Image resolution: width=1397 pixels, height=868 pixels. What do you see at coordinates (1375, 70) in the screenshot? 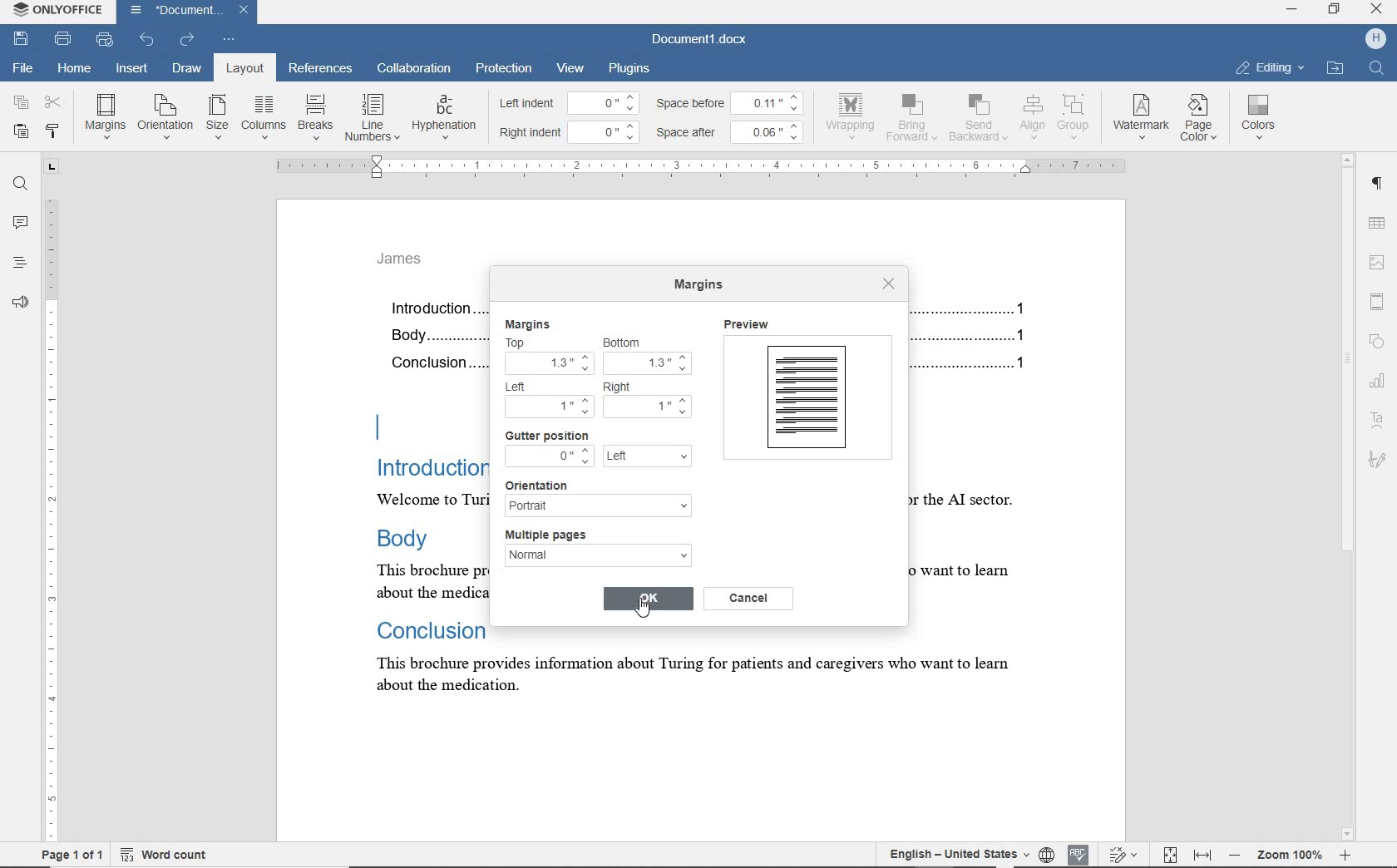
I see `find` at bounding box center [1375, 70].